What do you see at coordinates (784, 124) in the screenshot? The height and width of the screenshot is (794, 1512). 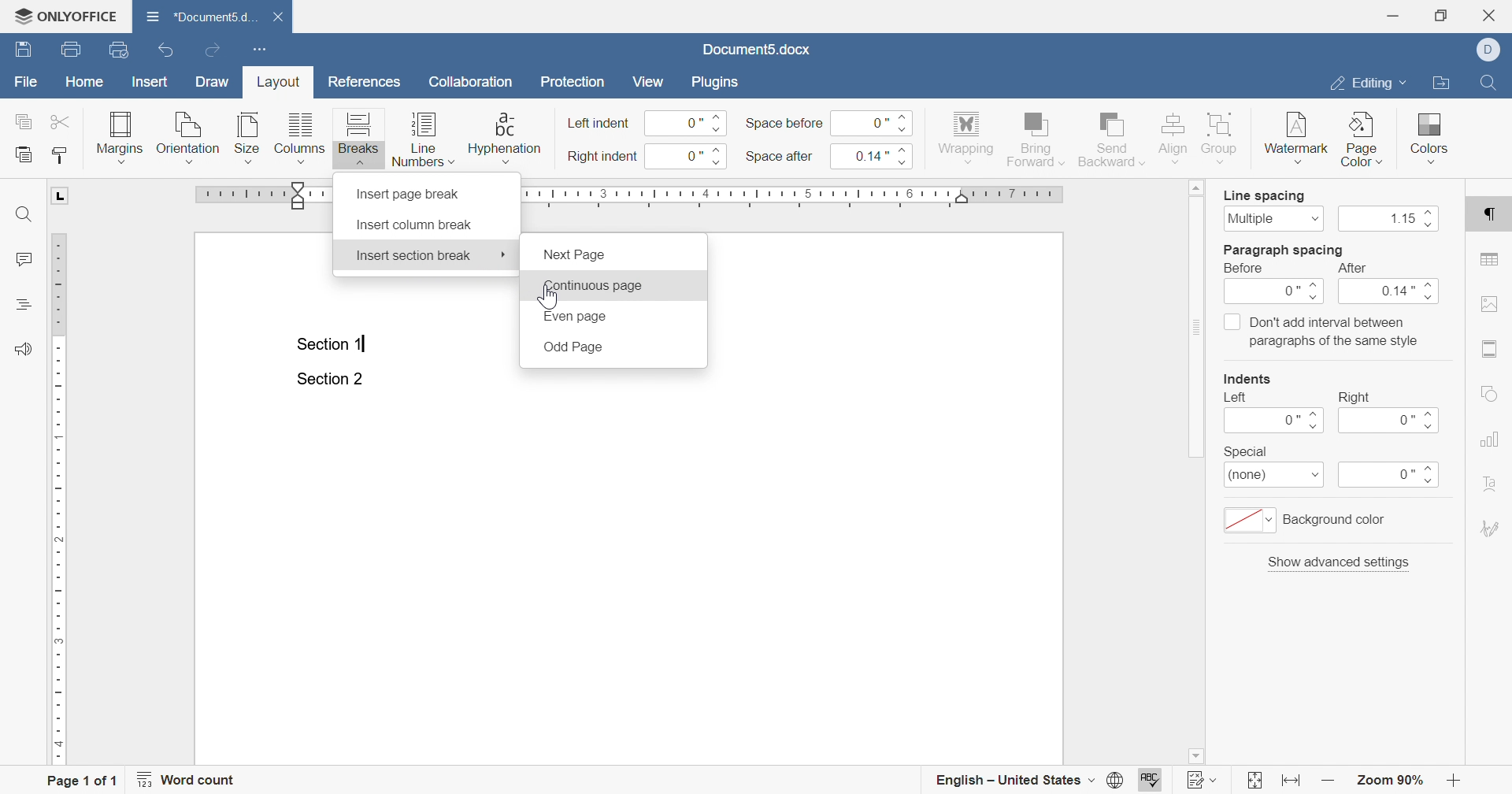 I see `space before` at bounding box center [784, 124].